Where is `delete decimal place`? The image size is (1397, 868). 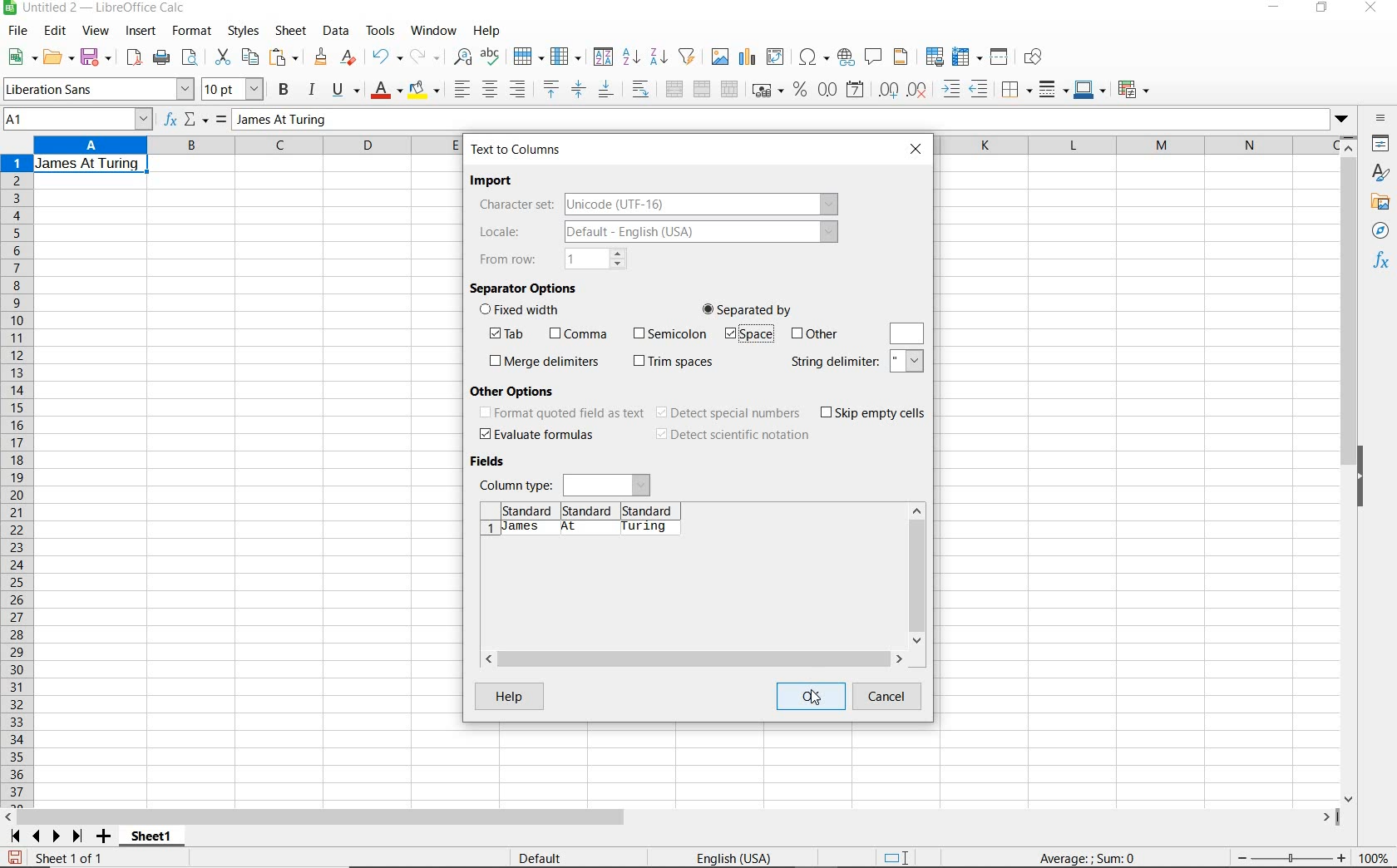
delete decimal place is located at coordinates (921, 90).